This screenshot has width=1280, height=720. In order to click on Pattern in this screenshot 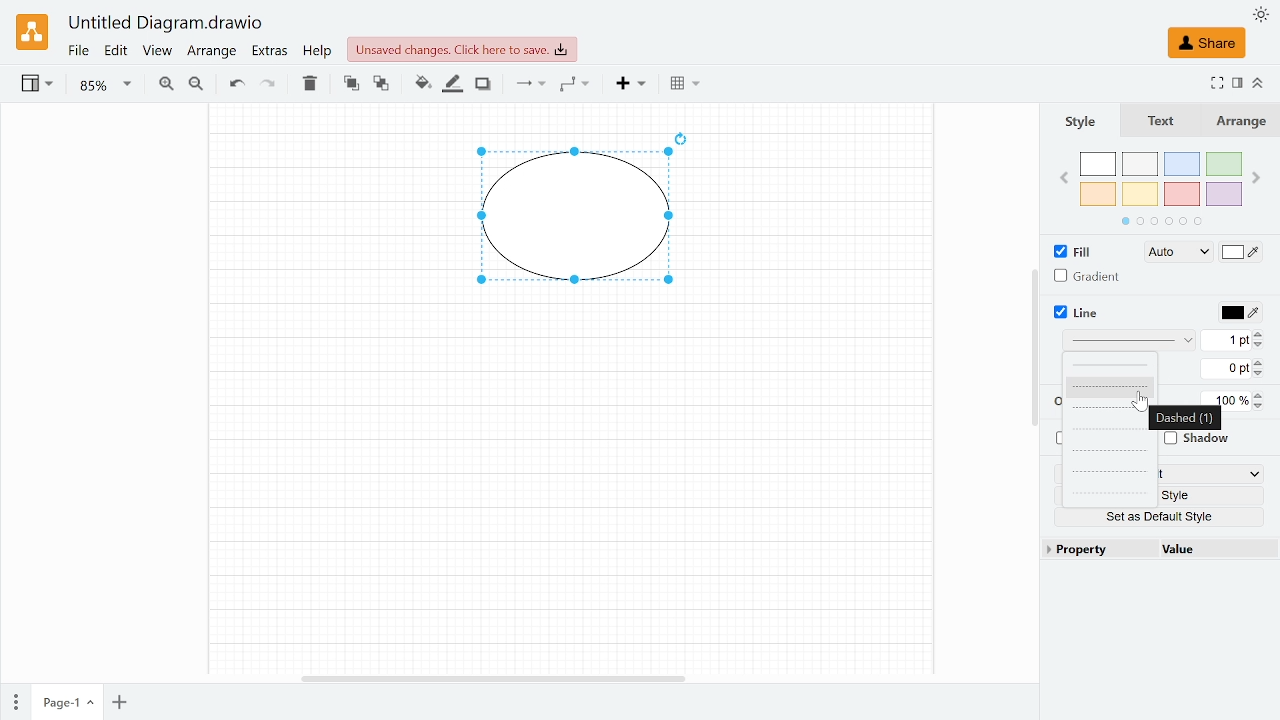, I will do `click(1128, 341)`.